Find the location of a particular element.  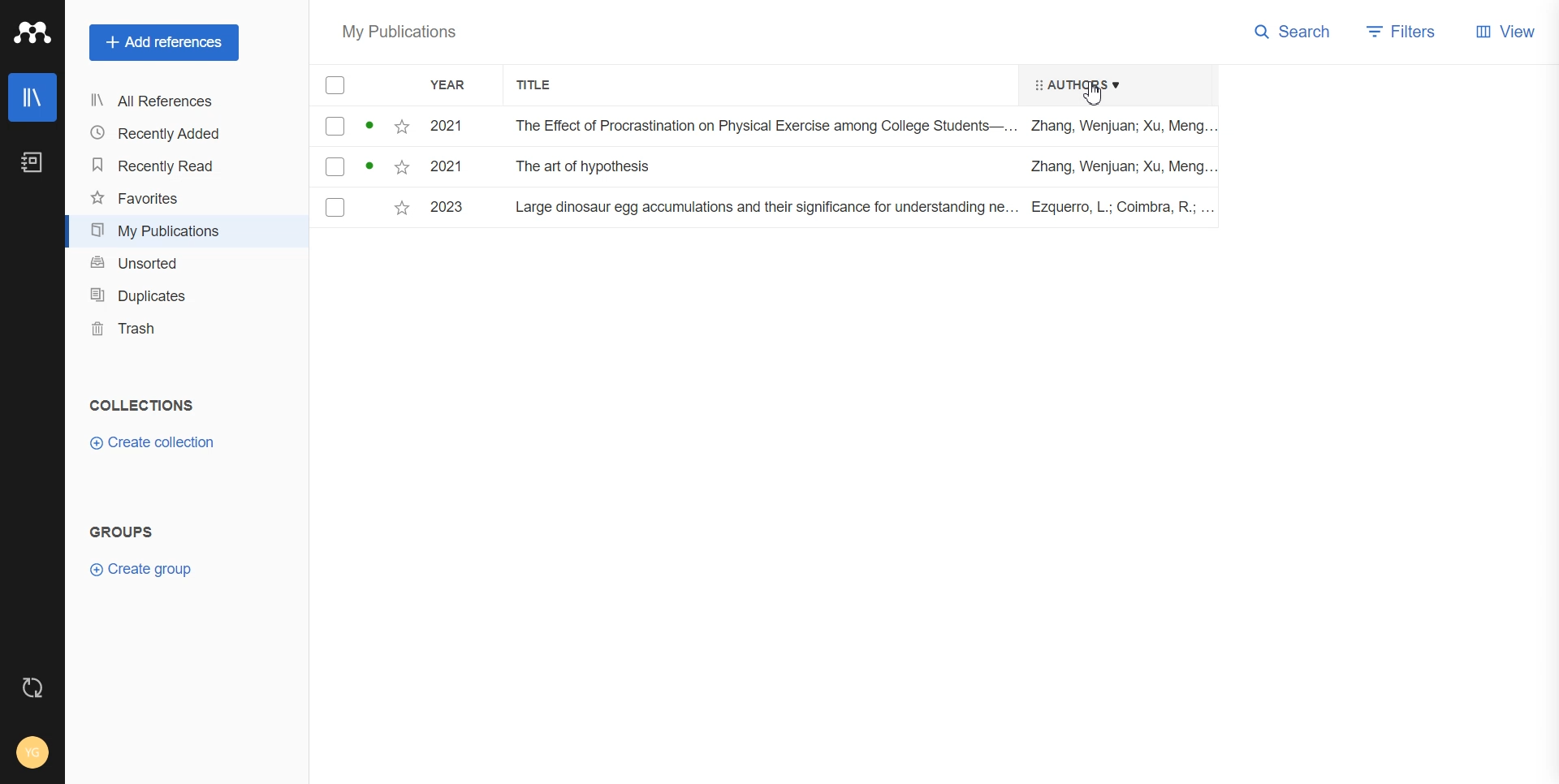

My Publications is located at coordinates (399, 34).